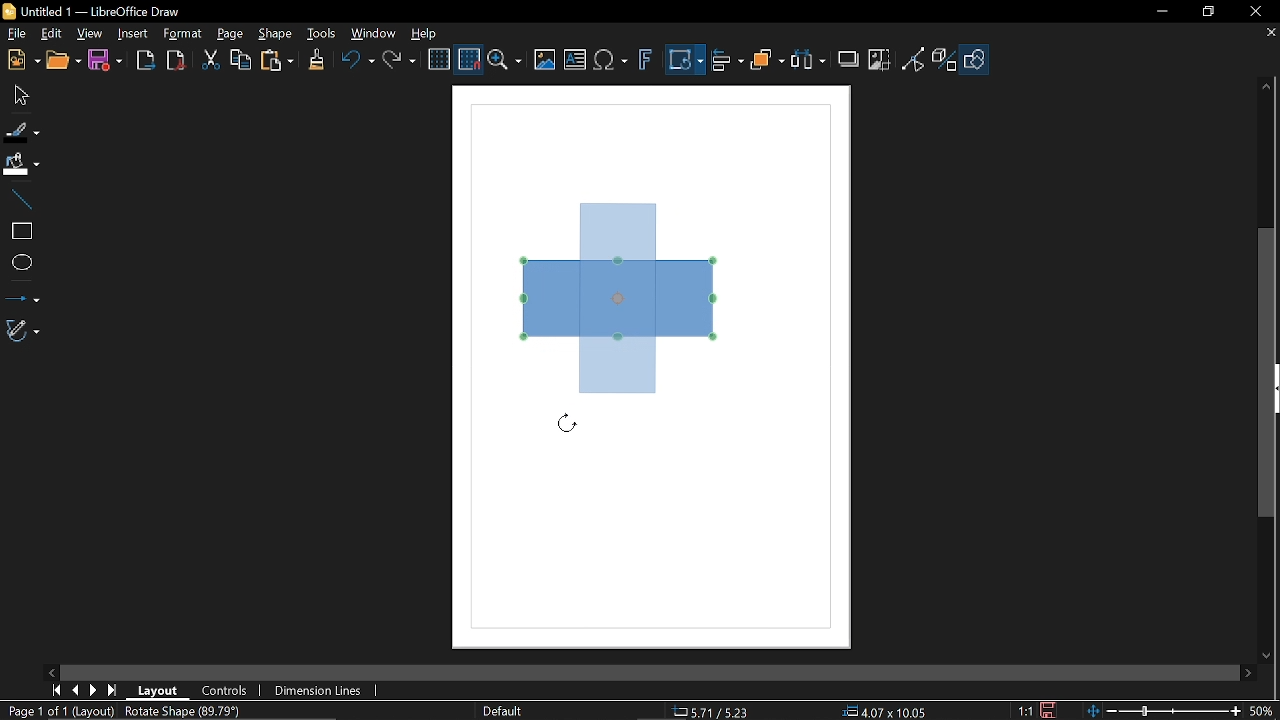 Image resolution: width=1280 pixels, height=720 pixels. I want to click on Window, so click(370, 35).